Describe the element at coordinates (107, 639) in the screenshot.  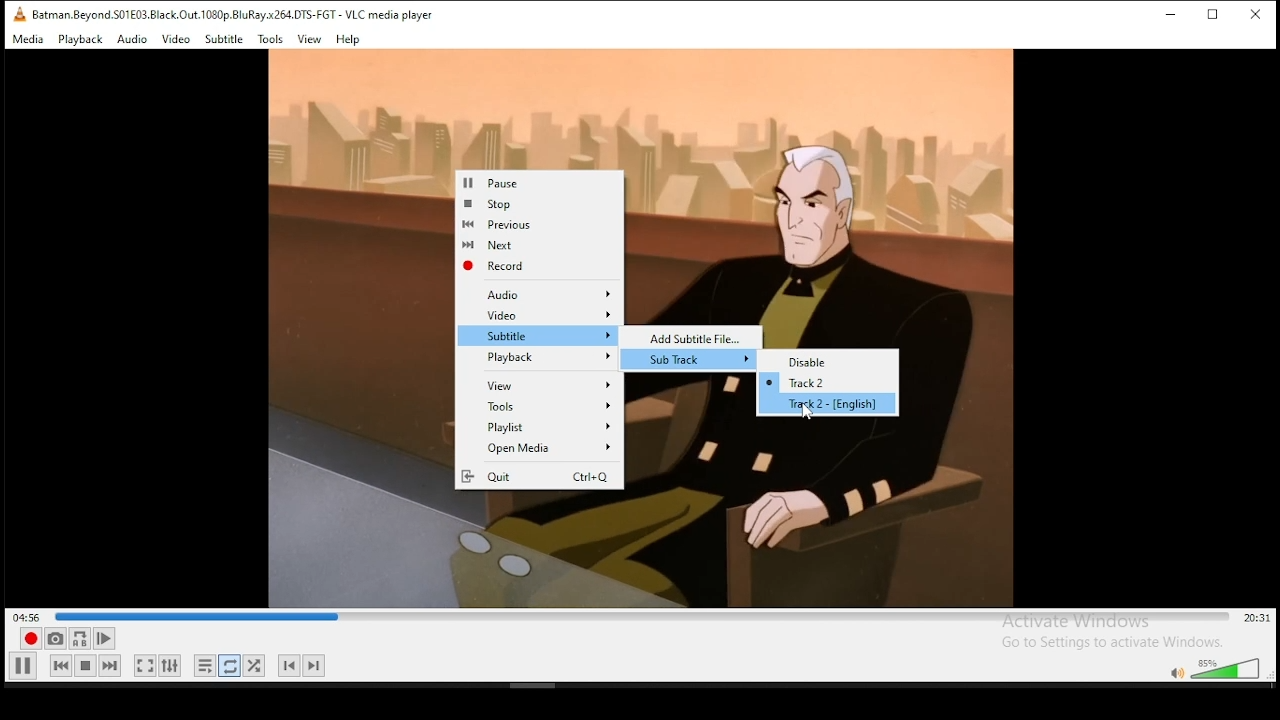
I see `Play ` at that location.